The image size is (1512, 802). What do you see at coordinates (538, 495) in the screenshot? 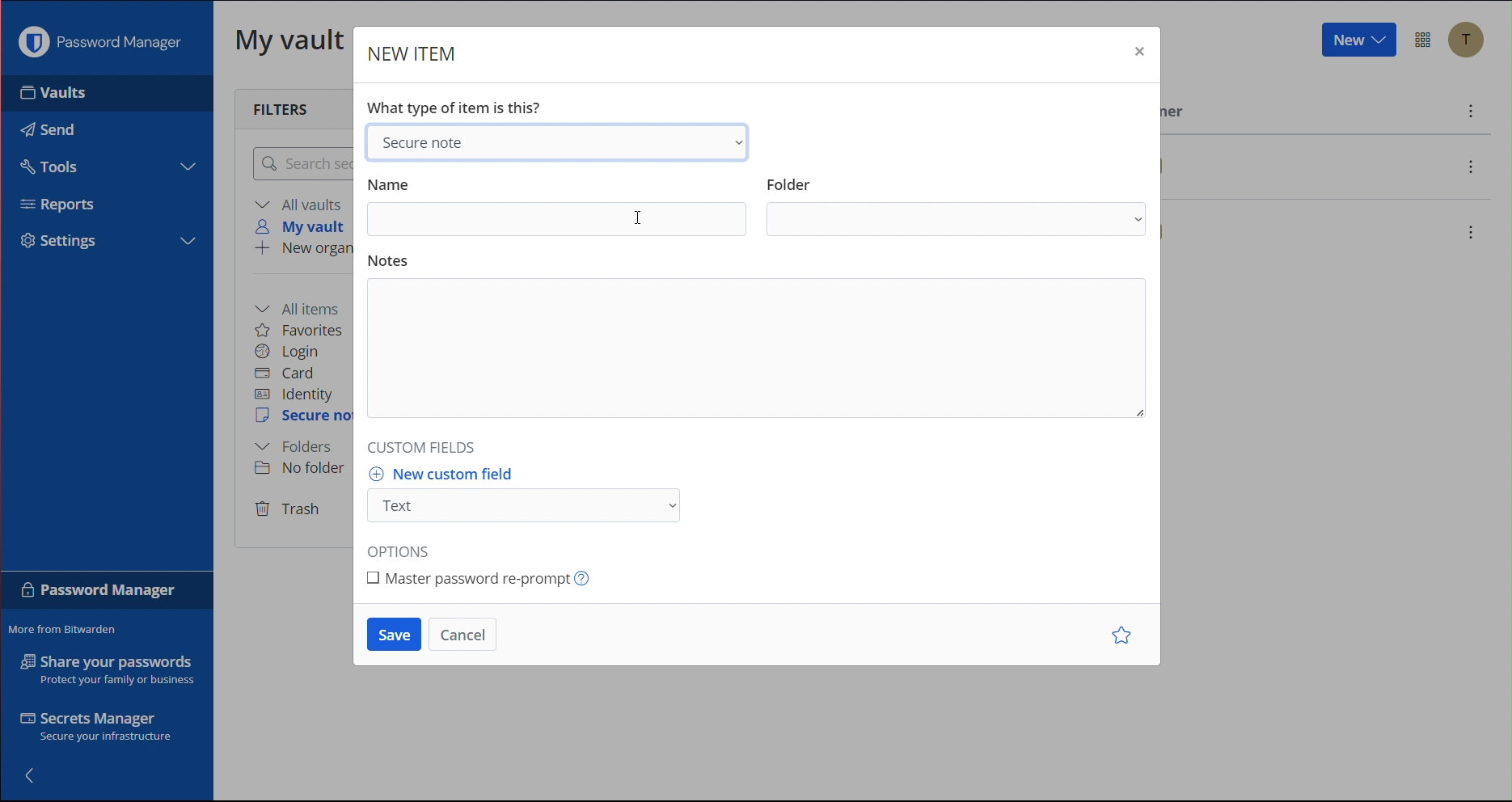
I see `New custom field` at bounding box center [538, 495].